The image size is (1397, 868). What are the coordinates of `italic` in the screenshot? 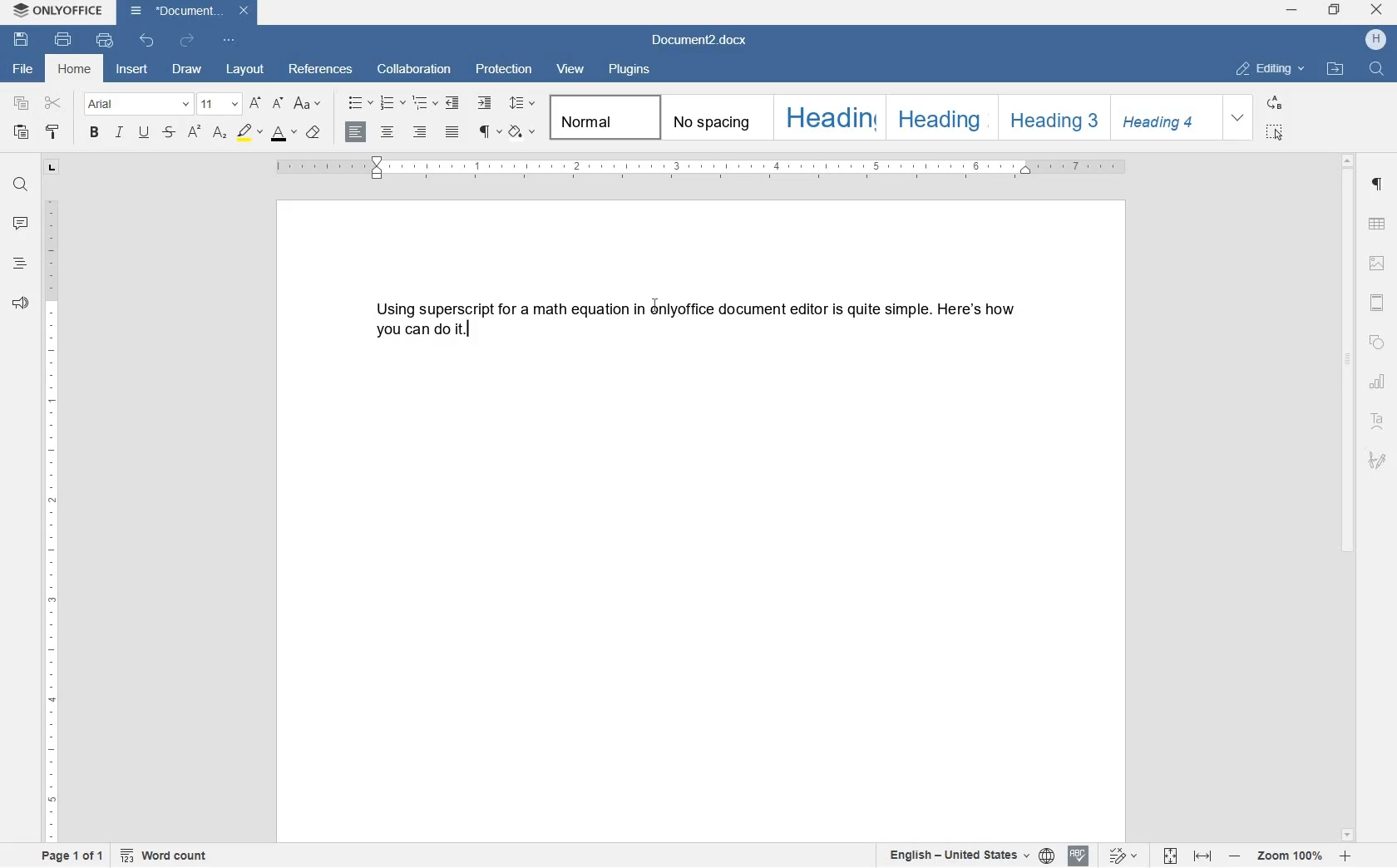 It's located at (120, 135).